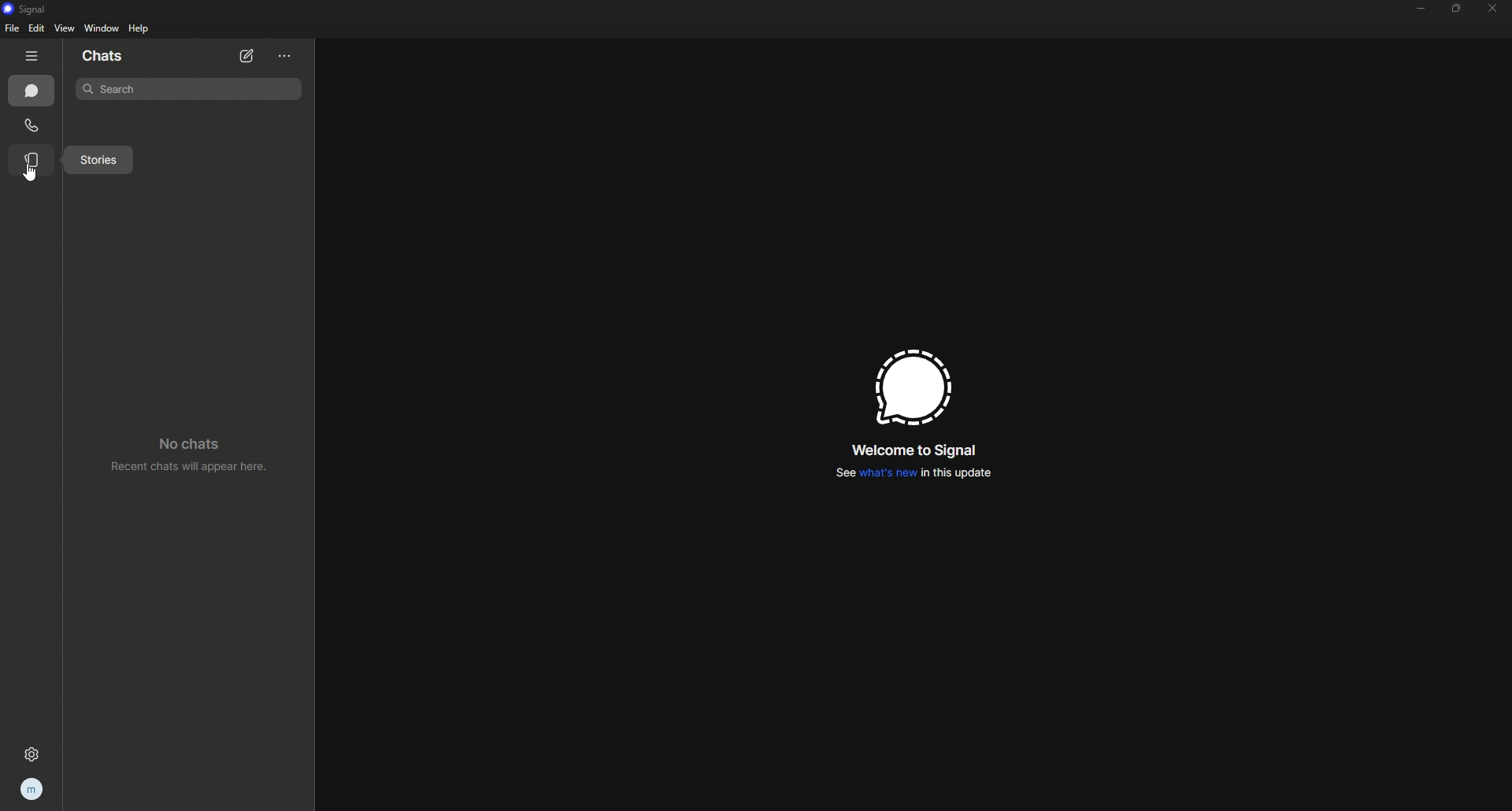 Image resolution: width=1512 pixels, height=811 pixels. Describe the element at coordinates (31, 754) in the screenshot. I see `settings` at that location.